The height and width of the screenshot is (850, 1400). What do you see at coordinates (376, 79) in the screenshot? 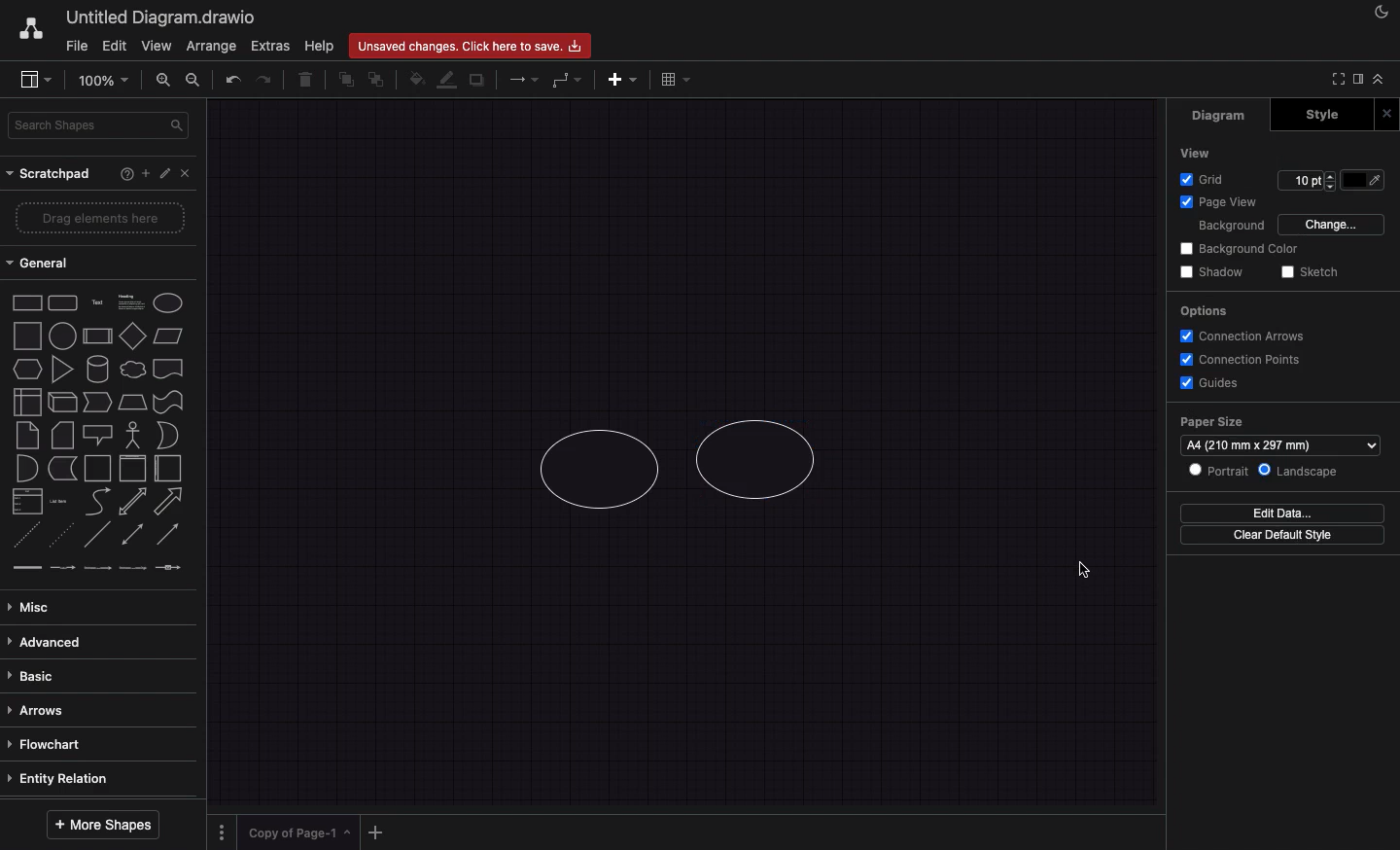
I see `to back` at bounding box center [376, 79].